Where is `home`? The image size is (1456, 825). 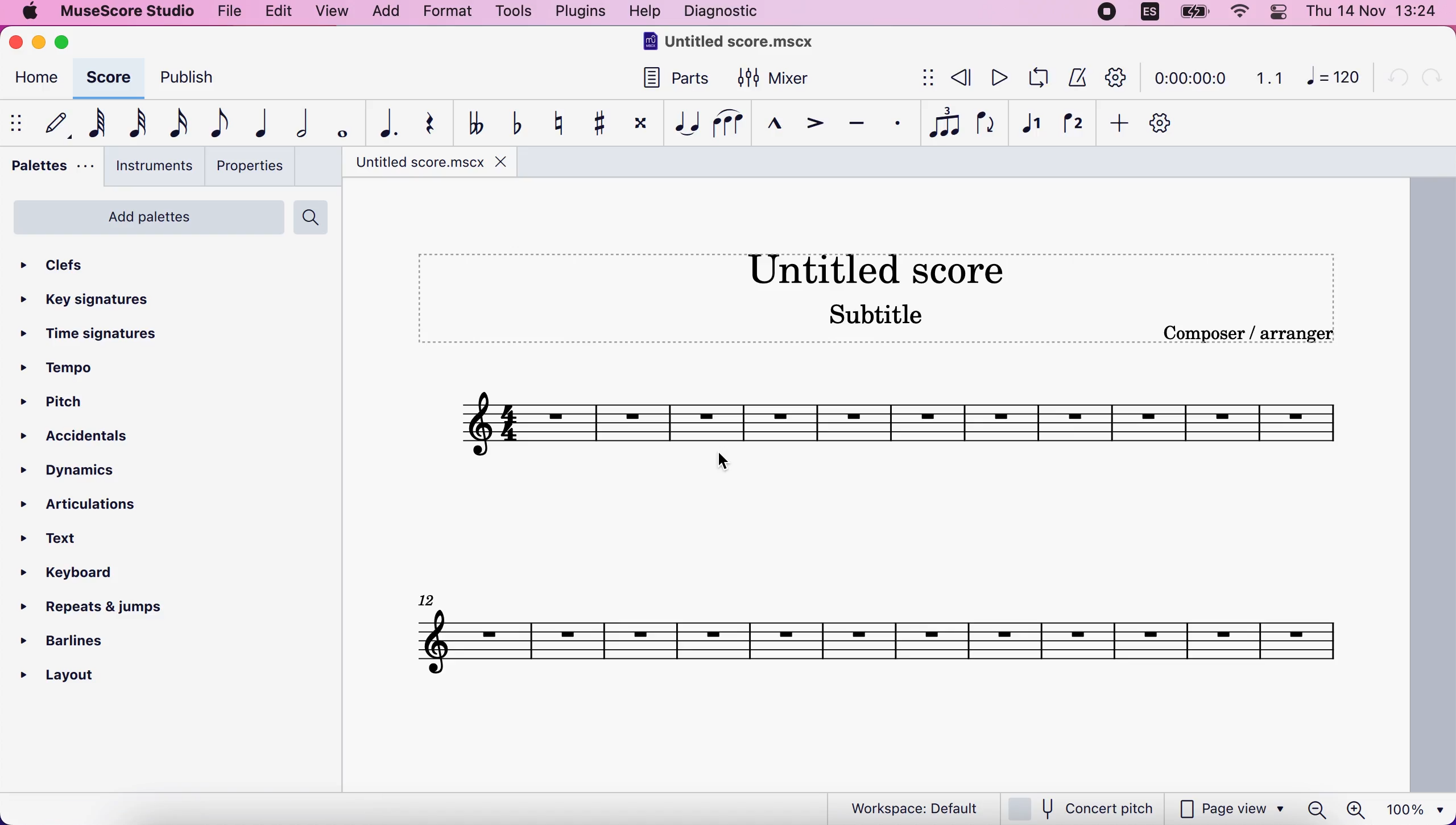
home is located at coordinates (35, 84).